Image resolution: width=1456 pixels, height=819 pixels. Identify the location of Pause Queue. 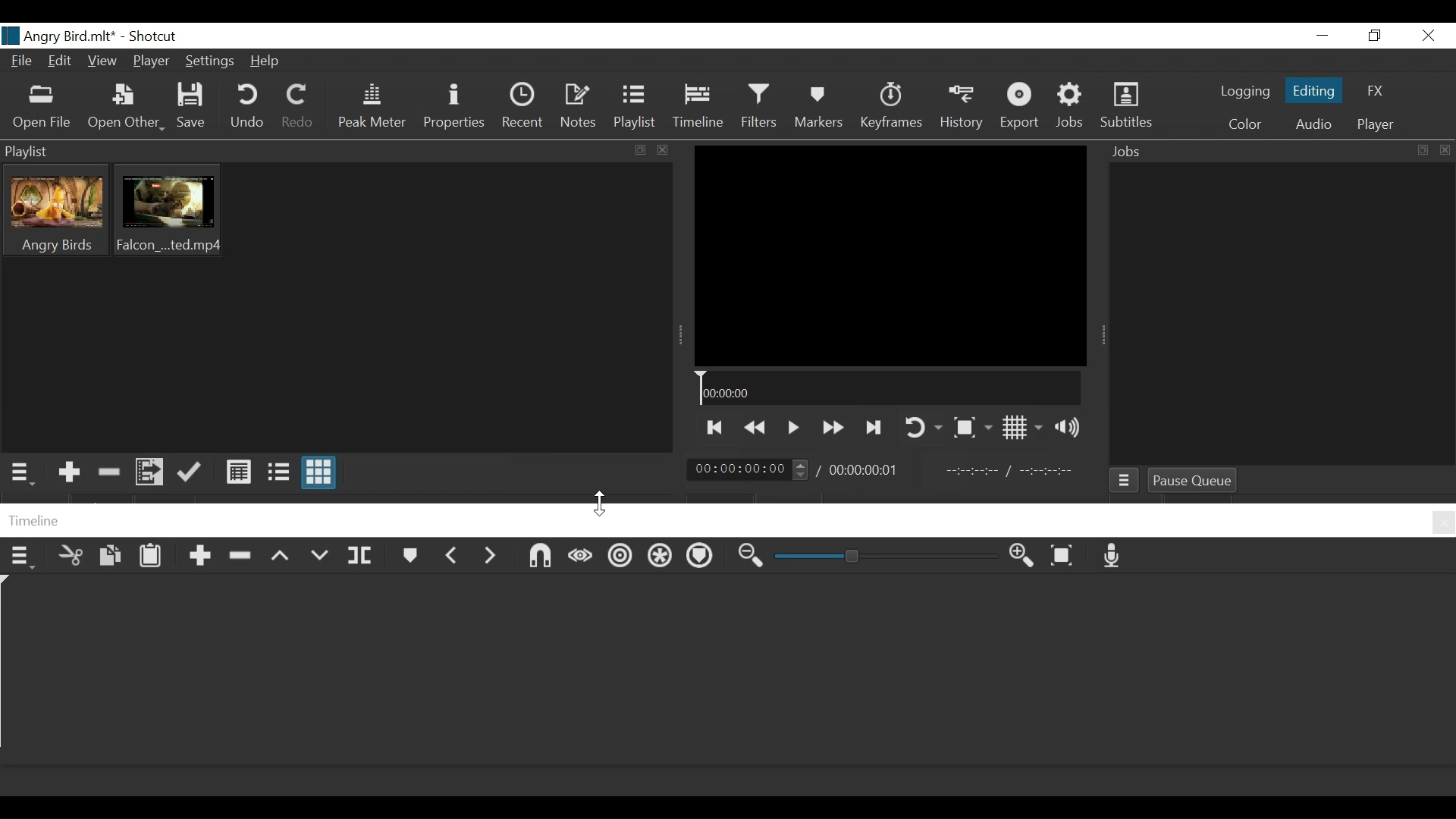
(1193, 480).